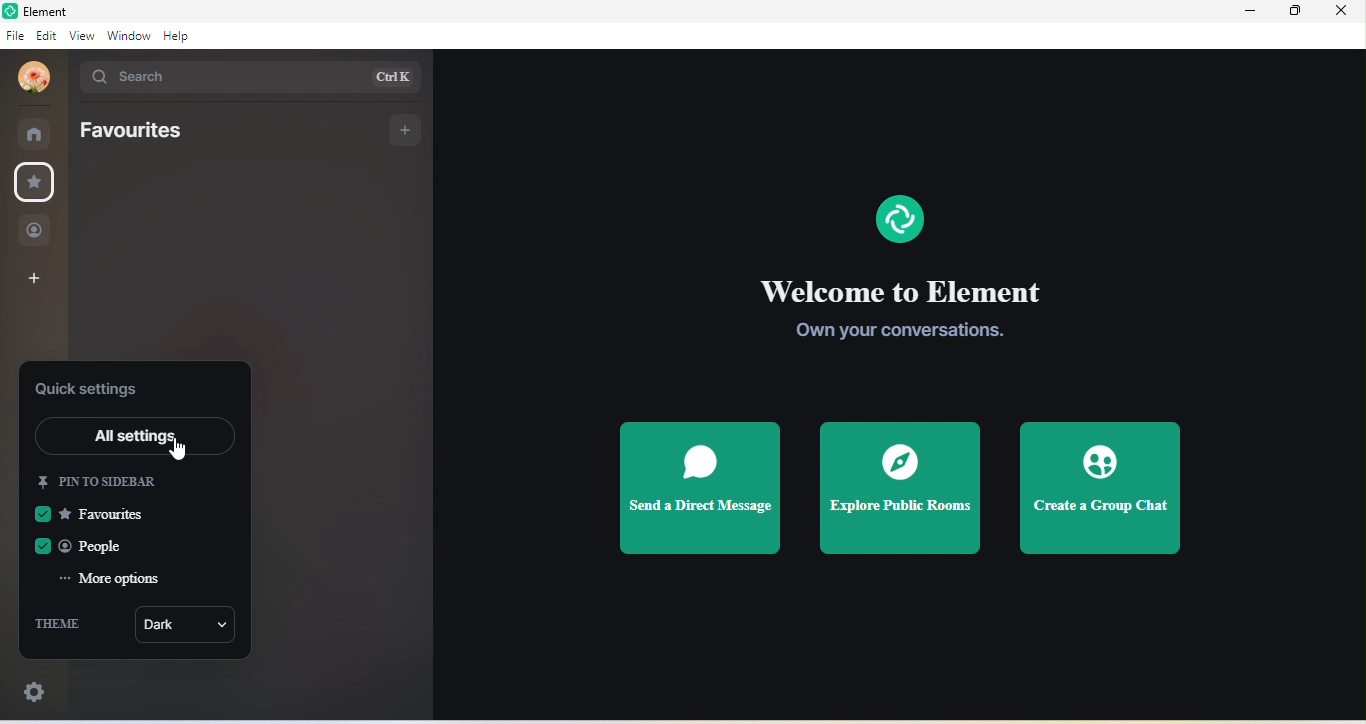 The image size is (1366, 724). What do you see at coordinates (98, 483) in the screenshot?
I see `pin to sidebar` at bounding box center [98, 483].